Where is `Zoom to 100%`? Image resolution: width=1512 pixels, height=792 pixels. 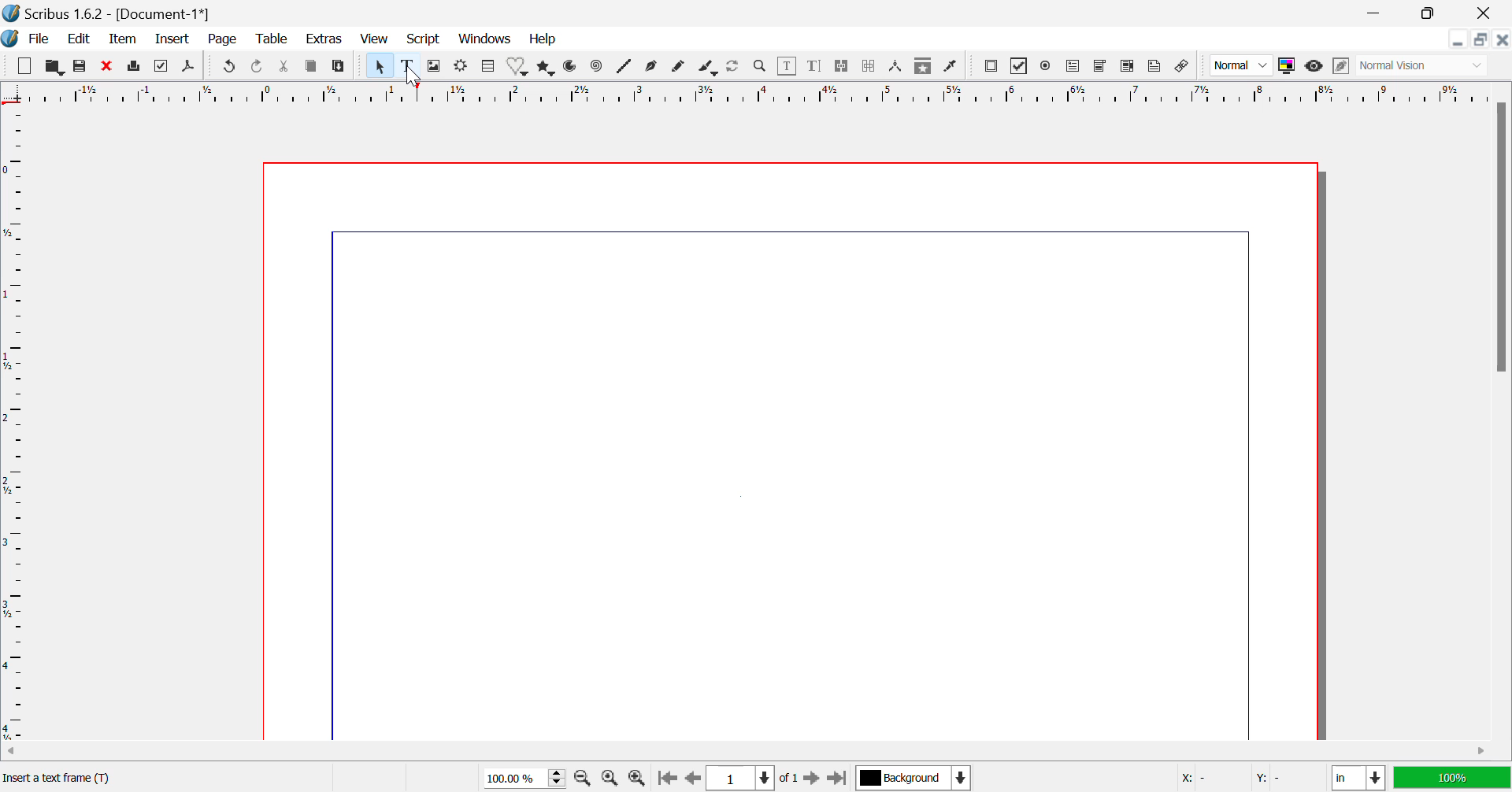
Zoom to 100% is located at coordinates (610, 779).